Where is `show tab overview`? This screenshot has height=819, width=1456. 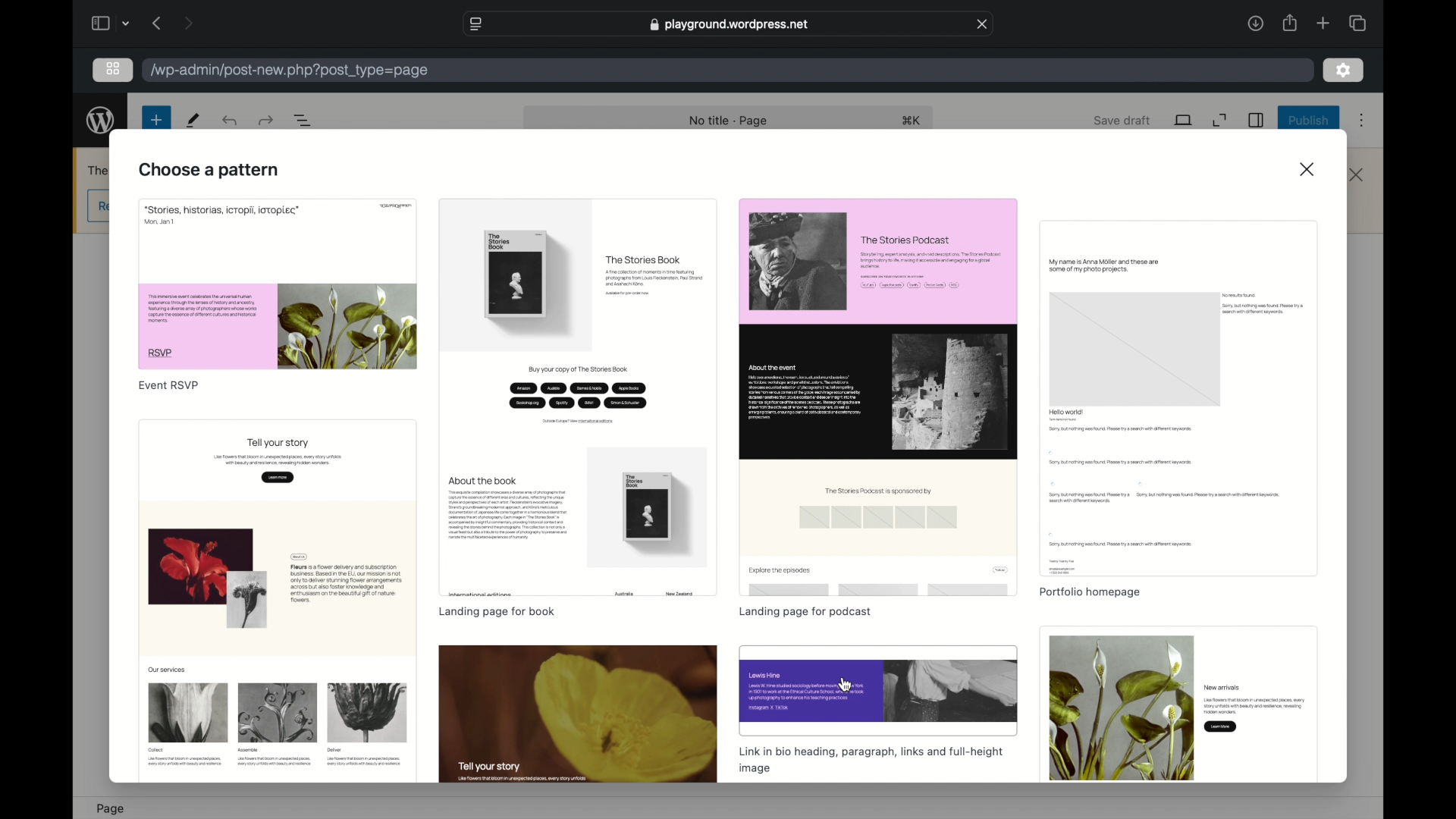 show tab overview is located at coordinates (1357, 23).